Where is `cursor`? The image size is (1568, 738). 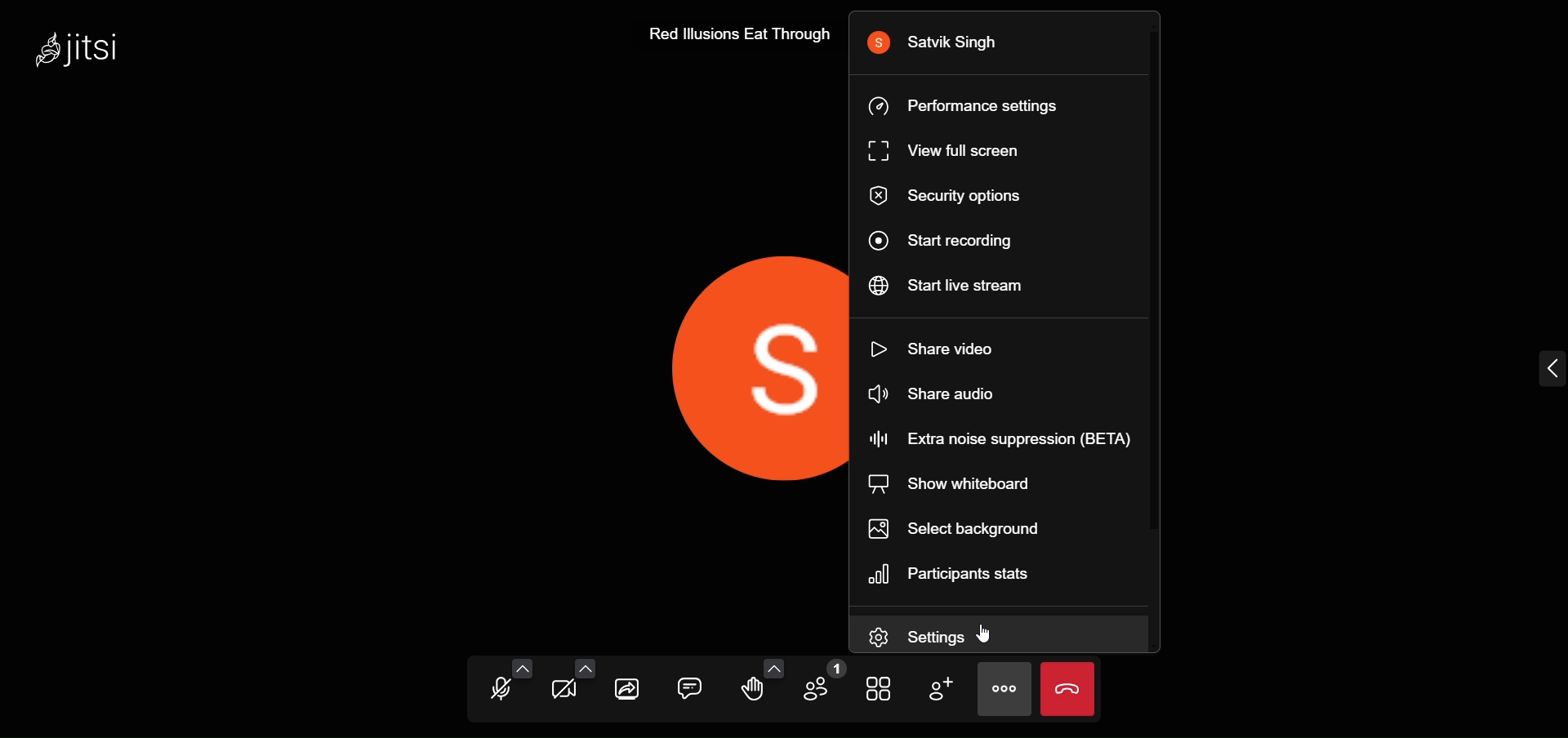
cursor is located at coordinates (990, 634).